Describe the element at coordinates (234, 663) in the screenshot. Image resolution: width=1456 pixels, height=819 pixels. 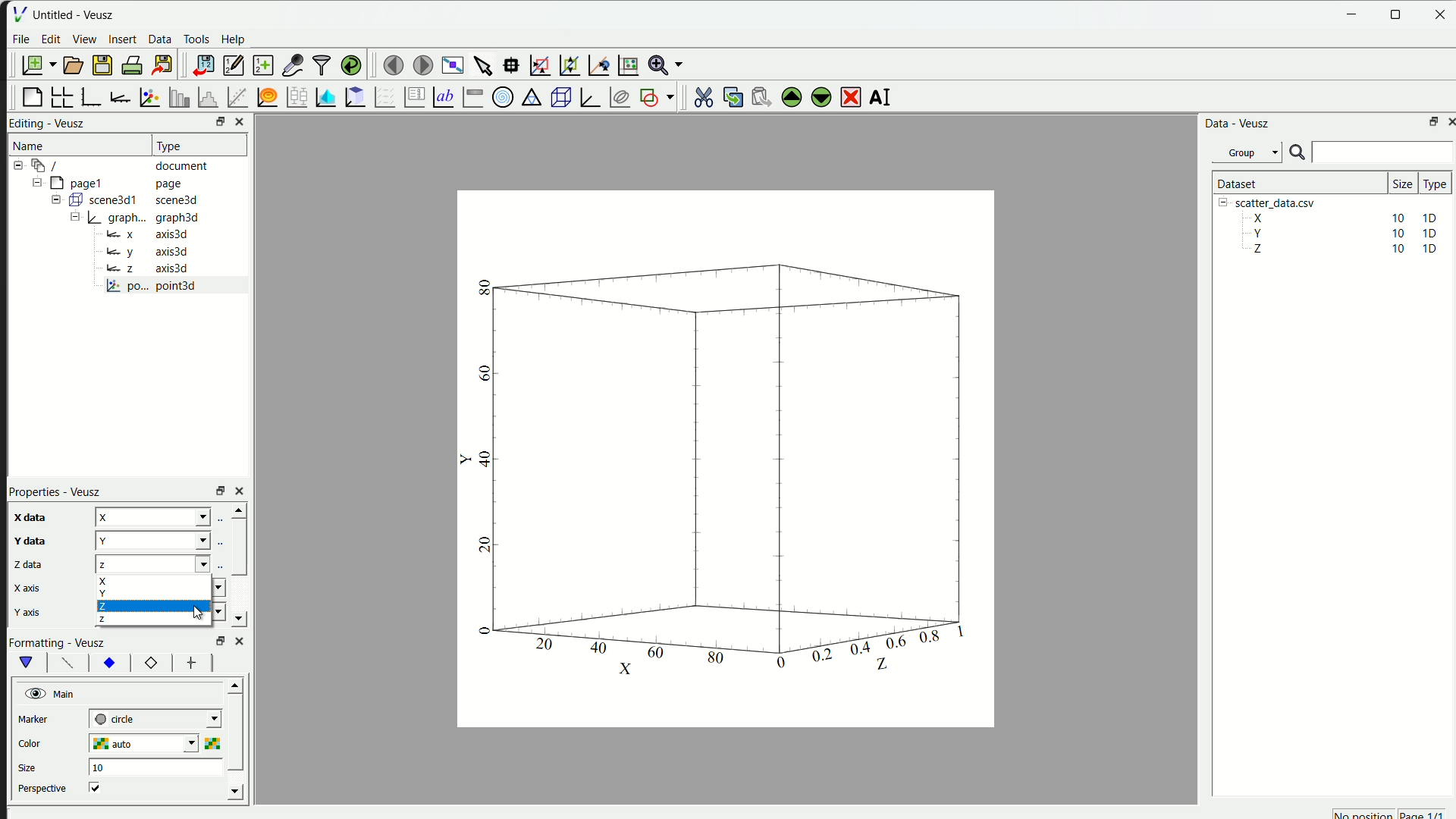
I see `left right button` at that location.